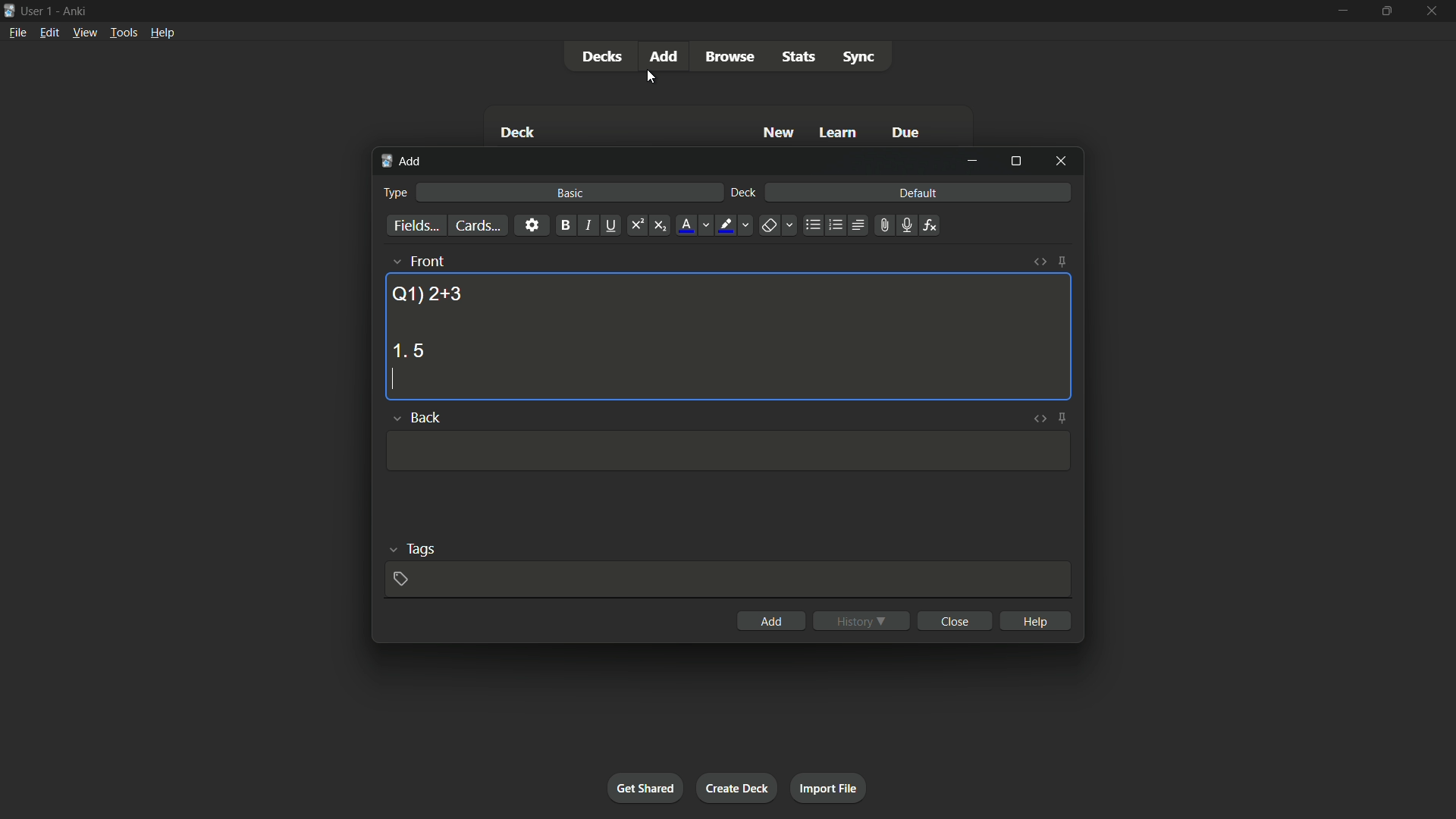 Image resolution: width=1456 pixels, height=819 pixels. Describe the element at coordinates (972, 161) in the screenshot. I see `minimize` at that location.